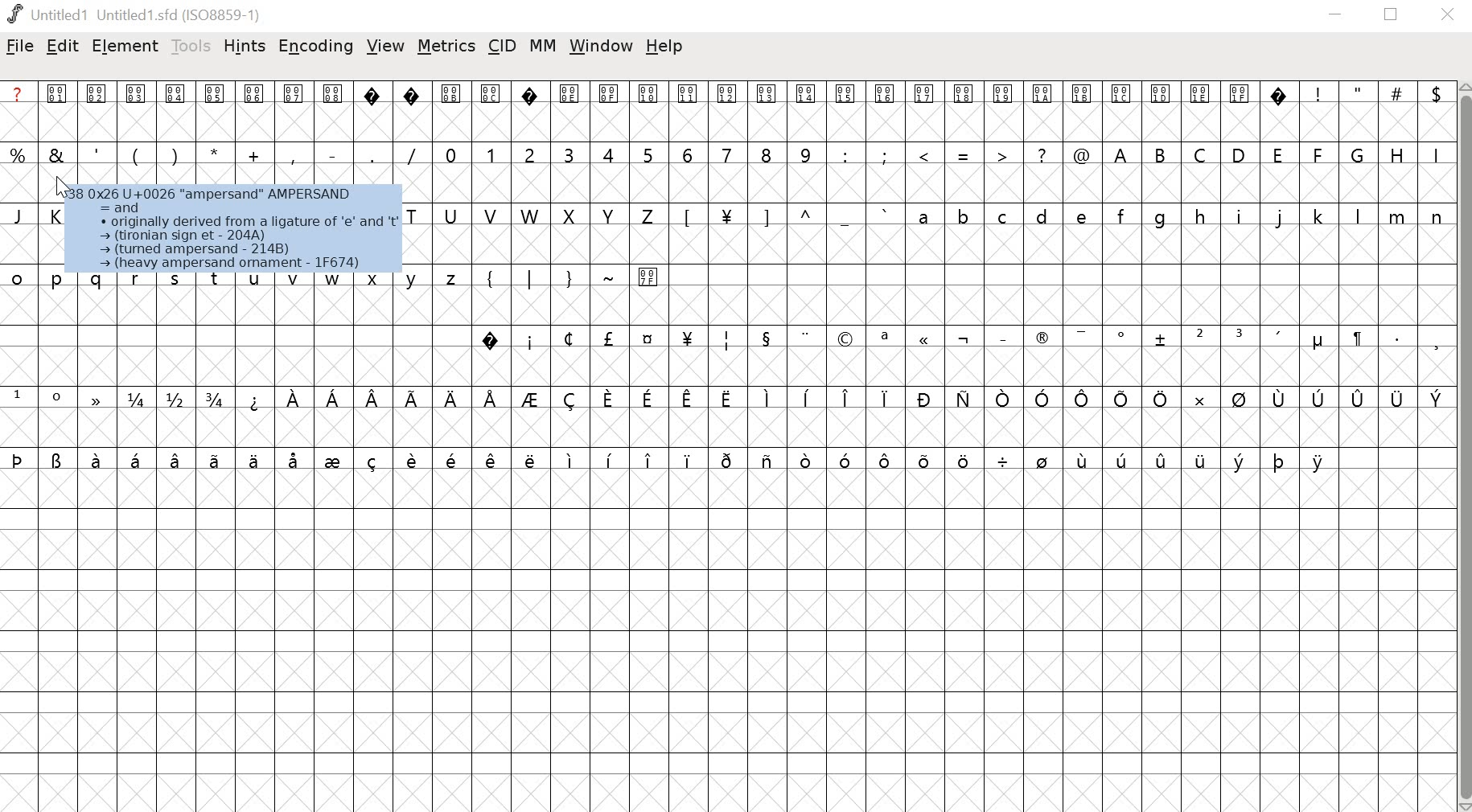 Image resolution: width=1472 pixels, height=812 pixels. What do you see at coordinates (175, 154) in the screenshot?
I see `)` at bounding box center [175, 154].